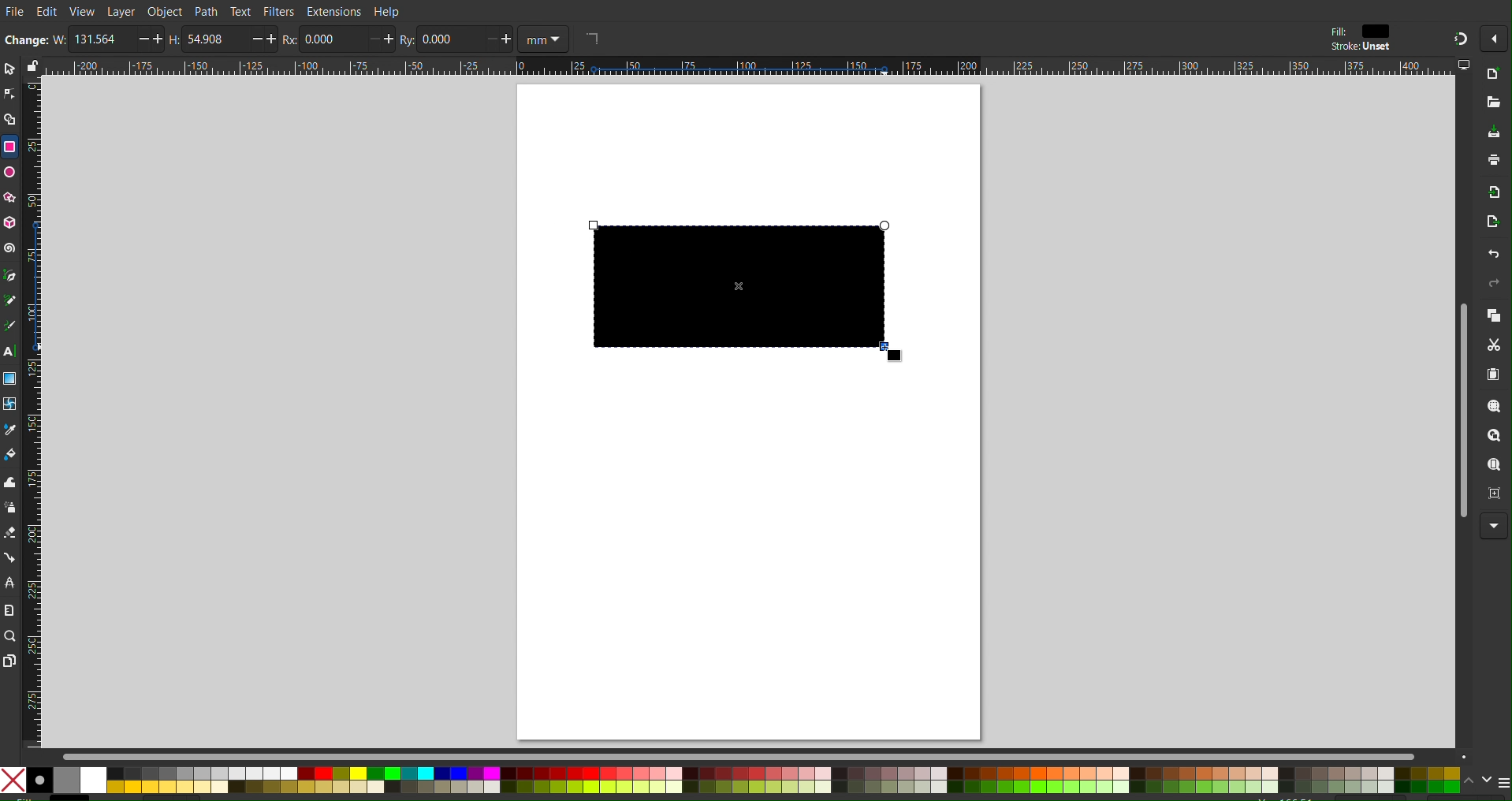 This screenshot has width=1512, height=801. I want to click on Paste, so click(1495, 376).